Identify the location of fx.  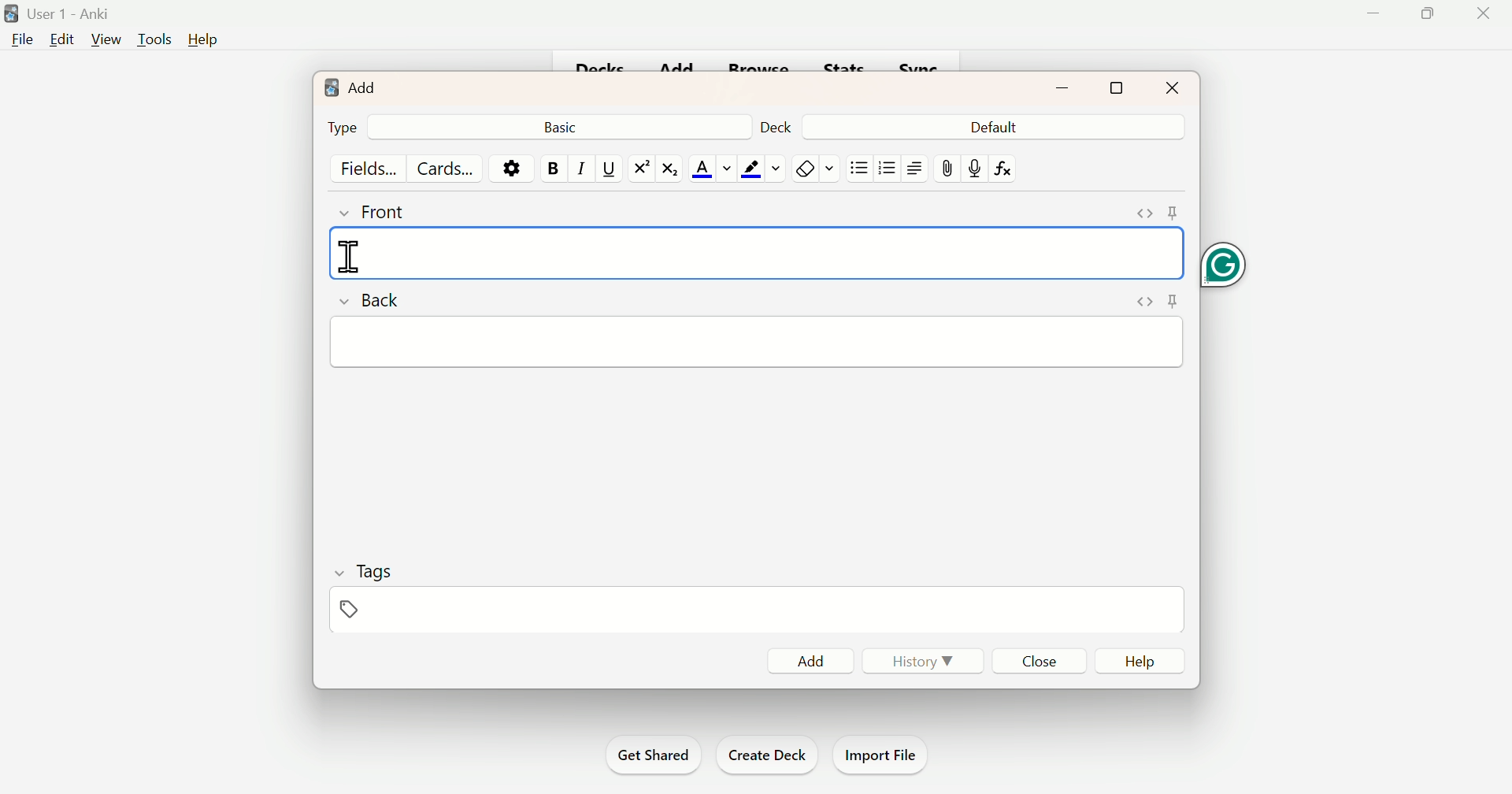
(1009, 168).